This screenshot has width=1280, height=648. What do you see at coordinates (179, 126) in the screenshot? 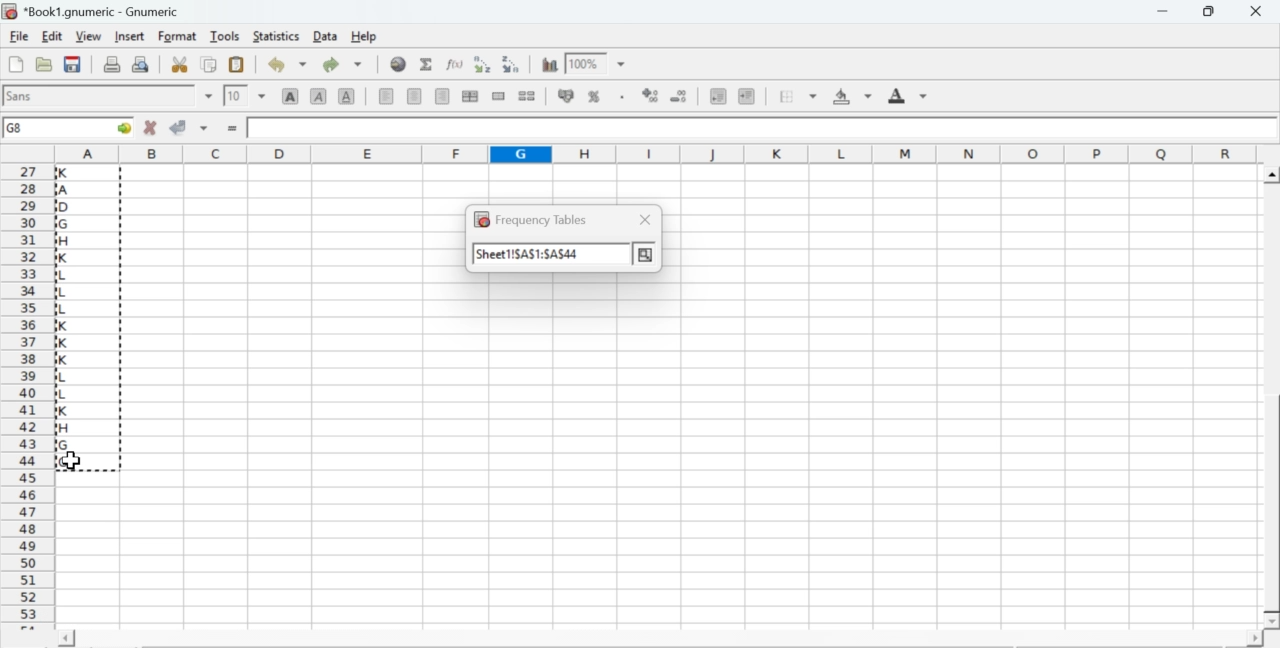
I see `accept changes` at bounding box center [179, 126].